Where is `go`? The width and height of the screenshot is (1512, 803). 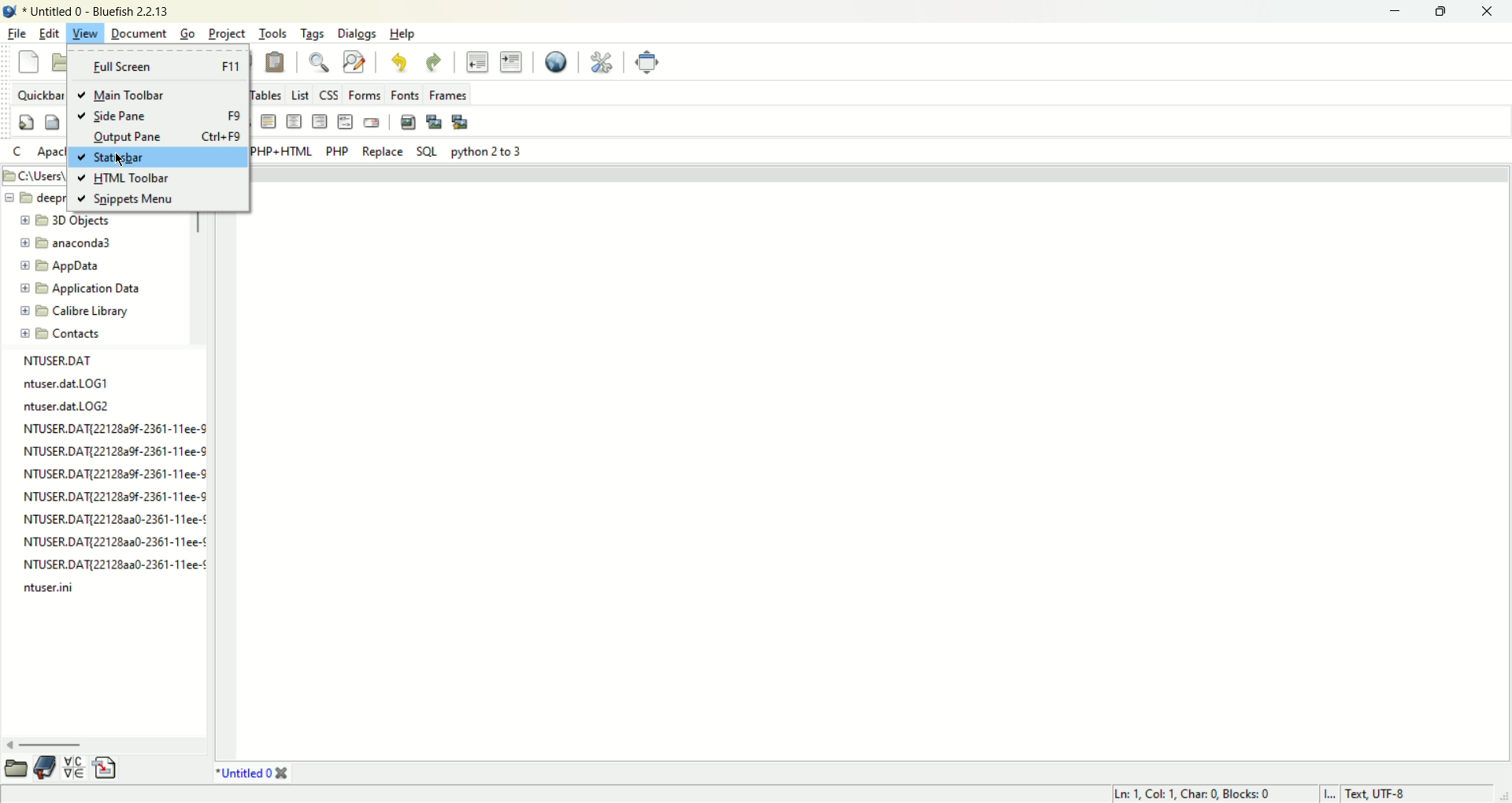
go is located at coordinates (187, 34).